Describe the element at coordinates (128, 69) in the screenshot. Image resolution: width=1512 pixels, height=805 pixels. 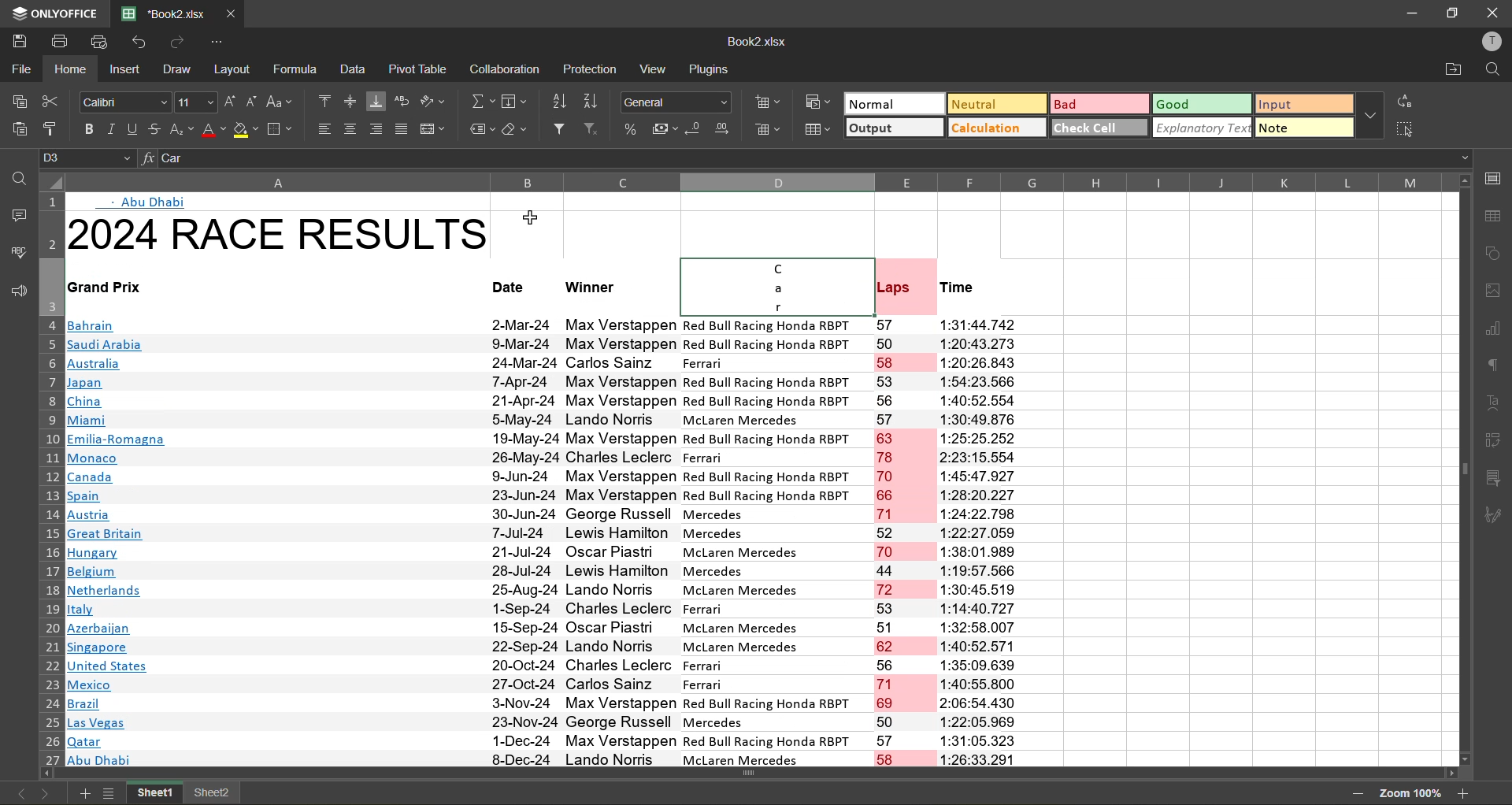
I see `insert` at that location.